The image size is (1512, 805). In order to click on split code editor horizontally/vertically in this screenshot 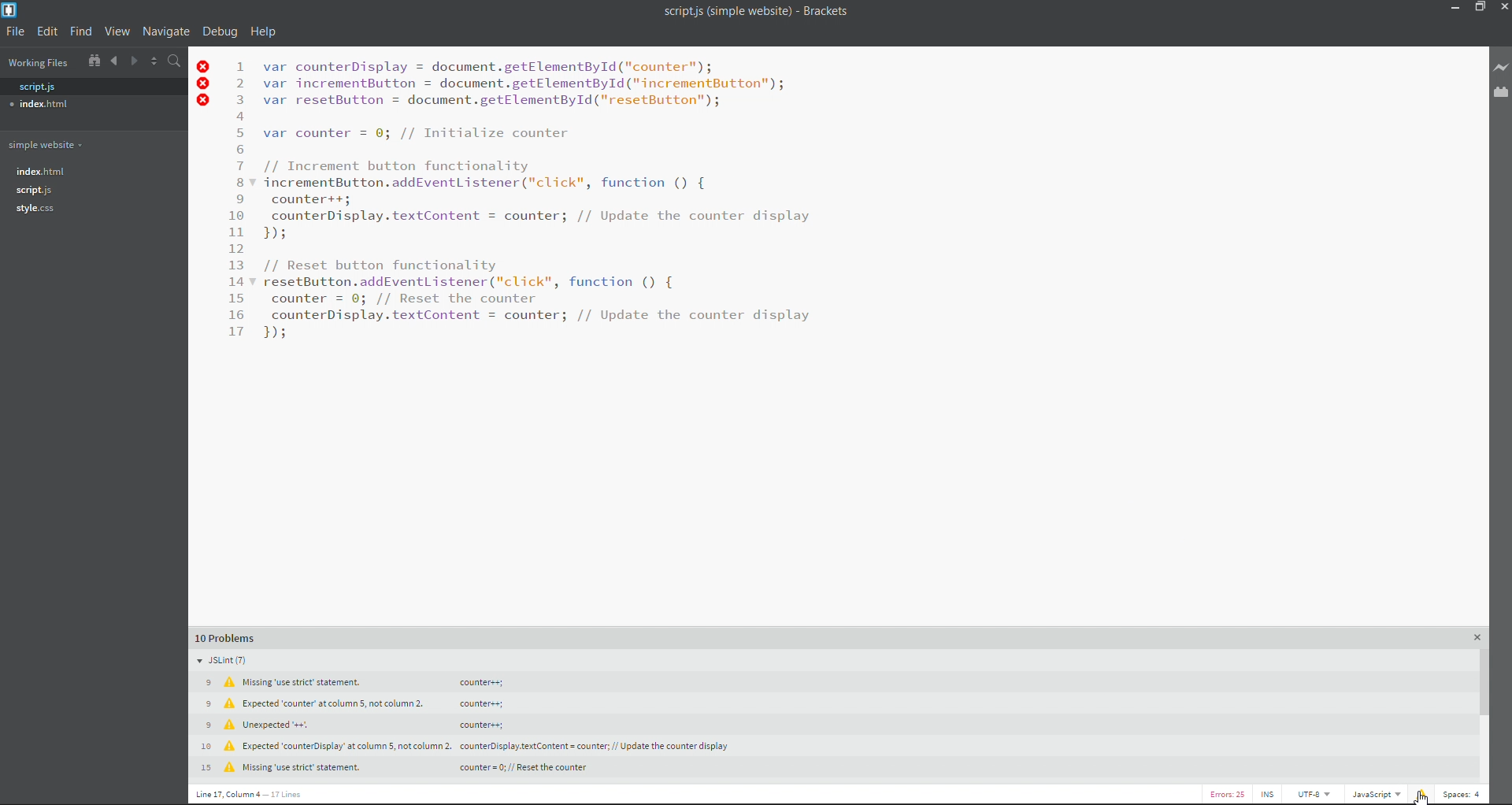, I will do `click(154, 61)`.